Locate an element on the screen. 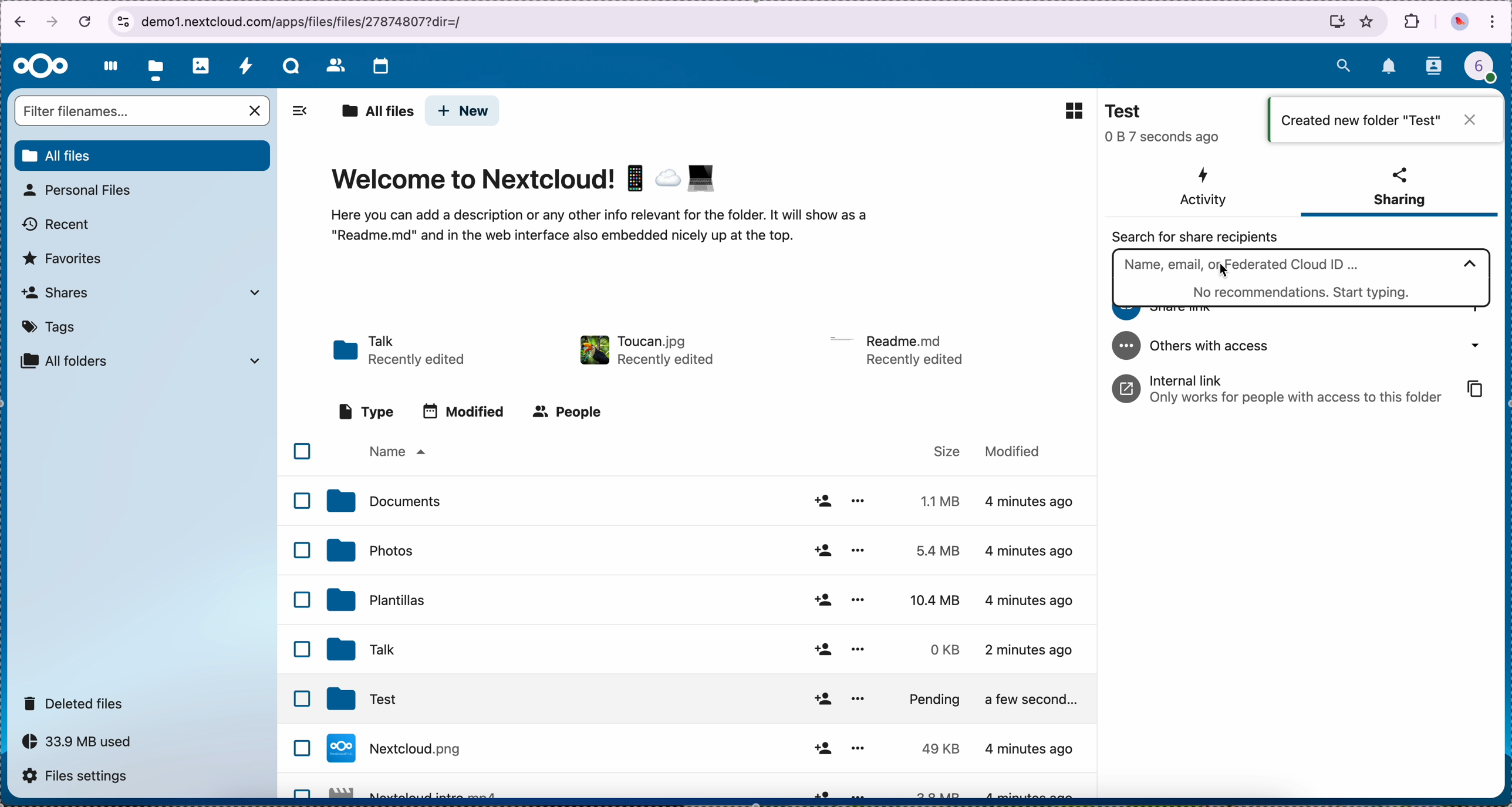  file is located at coordinates (899, 349).